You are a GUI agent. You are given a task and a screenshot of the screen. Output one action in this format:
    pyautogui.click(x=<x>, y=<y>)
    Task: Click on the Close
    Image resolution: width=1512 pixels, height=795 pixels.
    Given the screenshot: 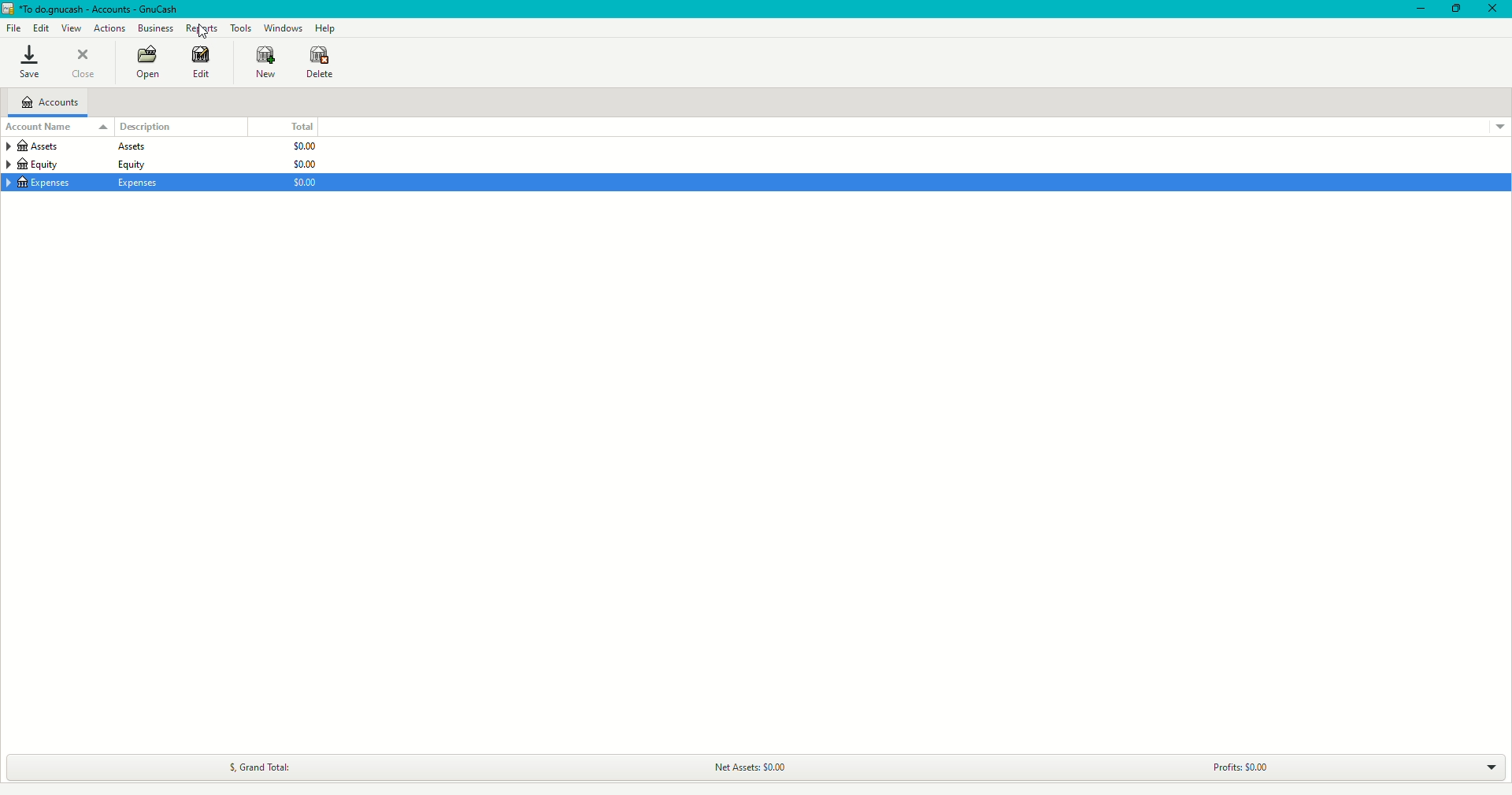 What is the action you would take?
    pyautogui.click(x=1493, y=10)
    